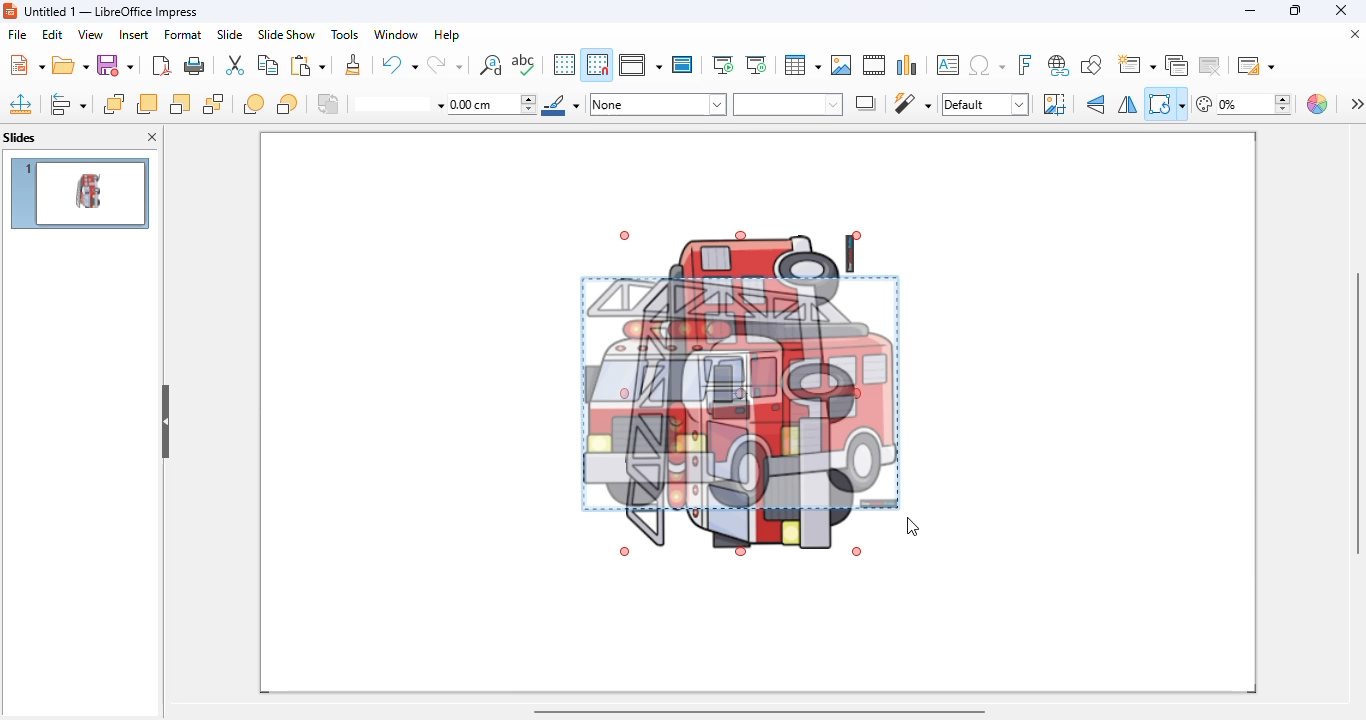 The height and width of the screenshot is (720, 1366). I want to click on export directly as PDF, so click(161, 65).